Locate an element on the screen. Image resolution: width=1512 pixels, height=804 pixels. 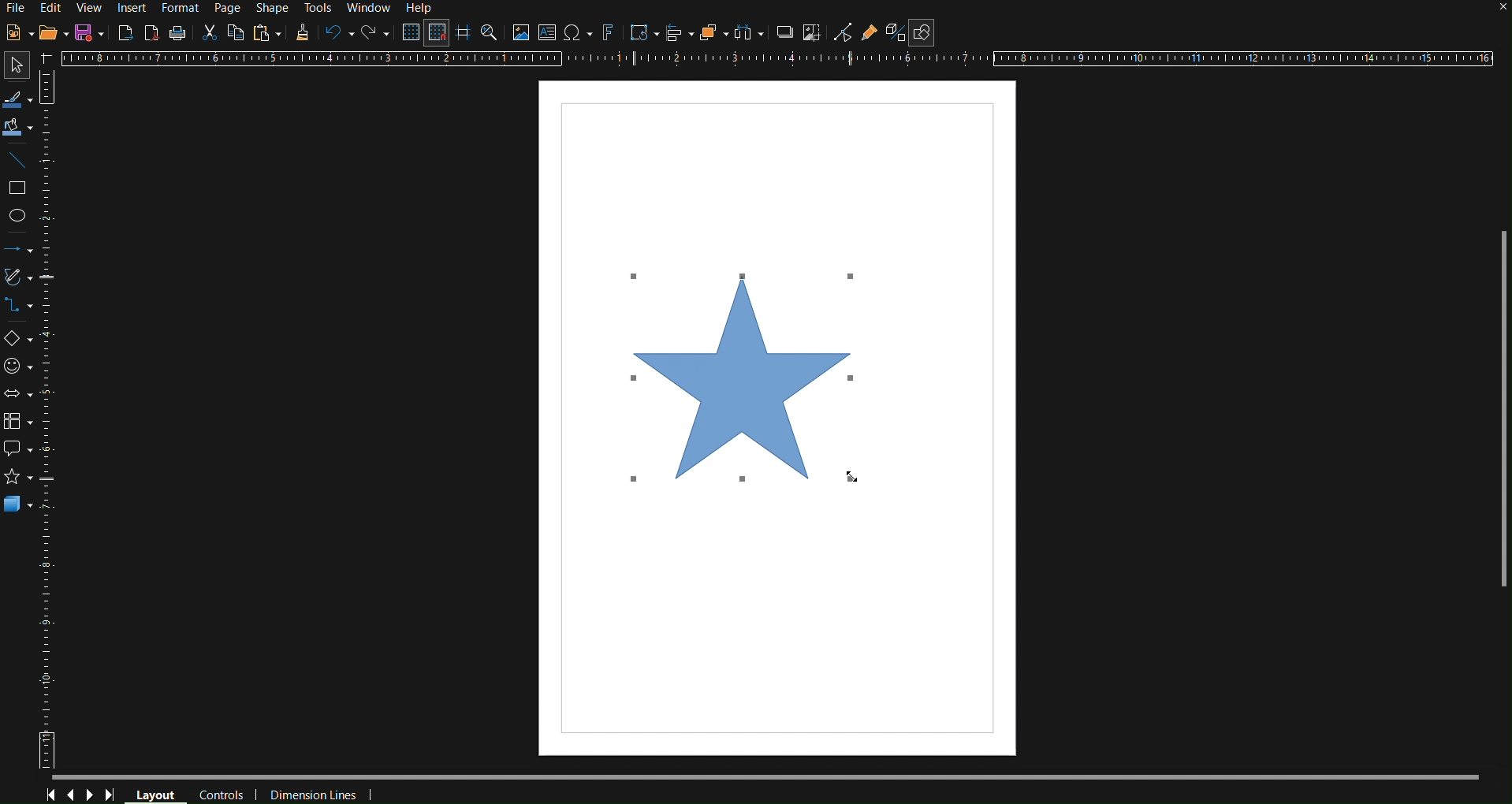
Page is located at coordinates (227, 7).